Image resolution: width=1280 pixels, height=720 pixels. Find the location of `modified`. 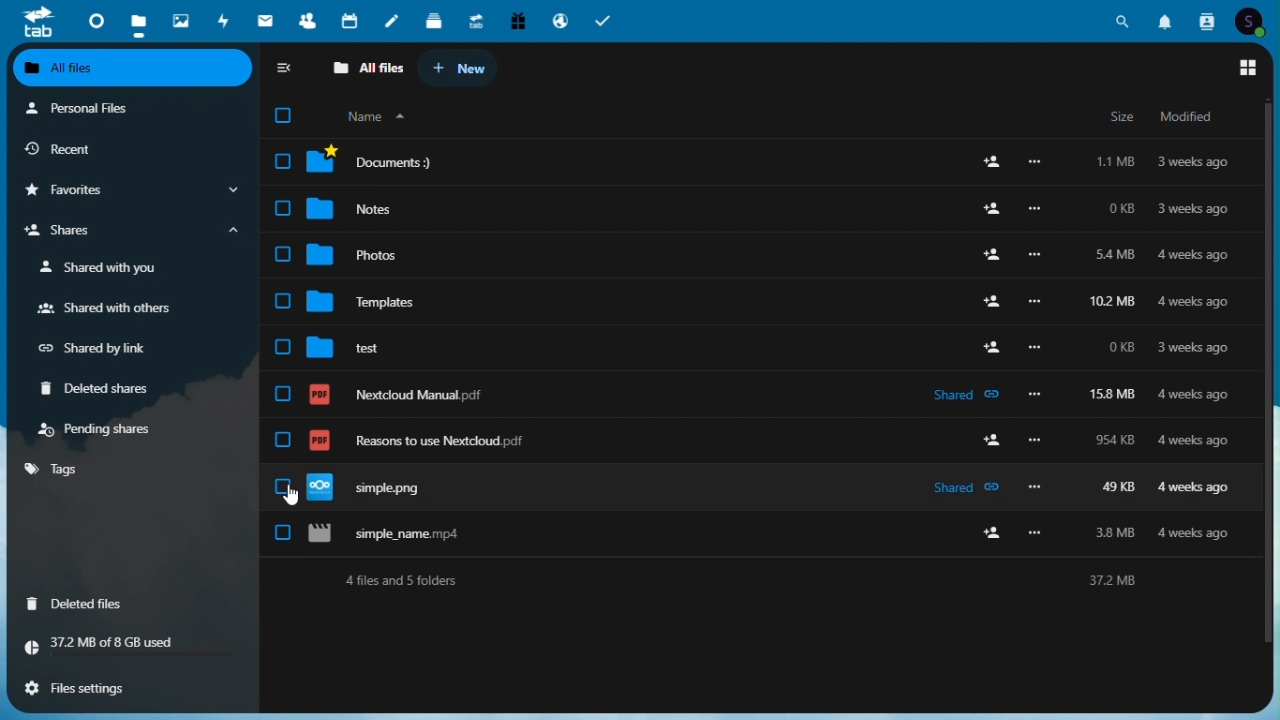

modified is located at coordinates (1191, 116).